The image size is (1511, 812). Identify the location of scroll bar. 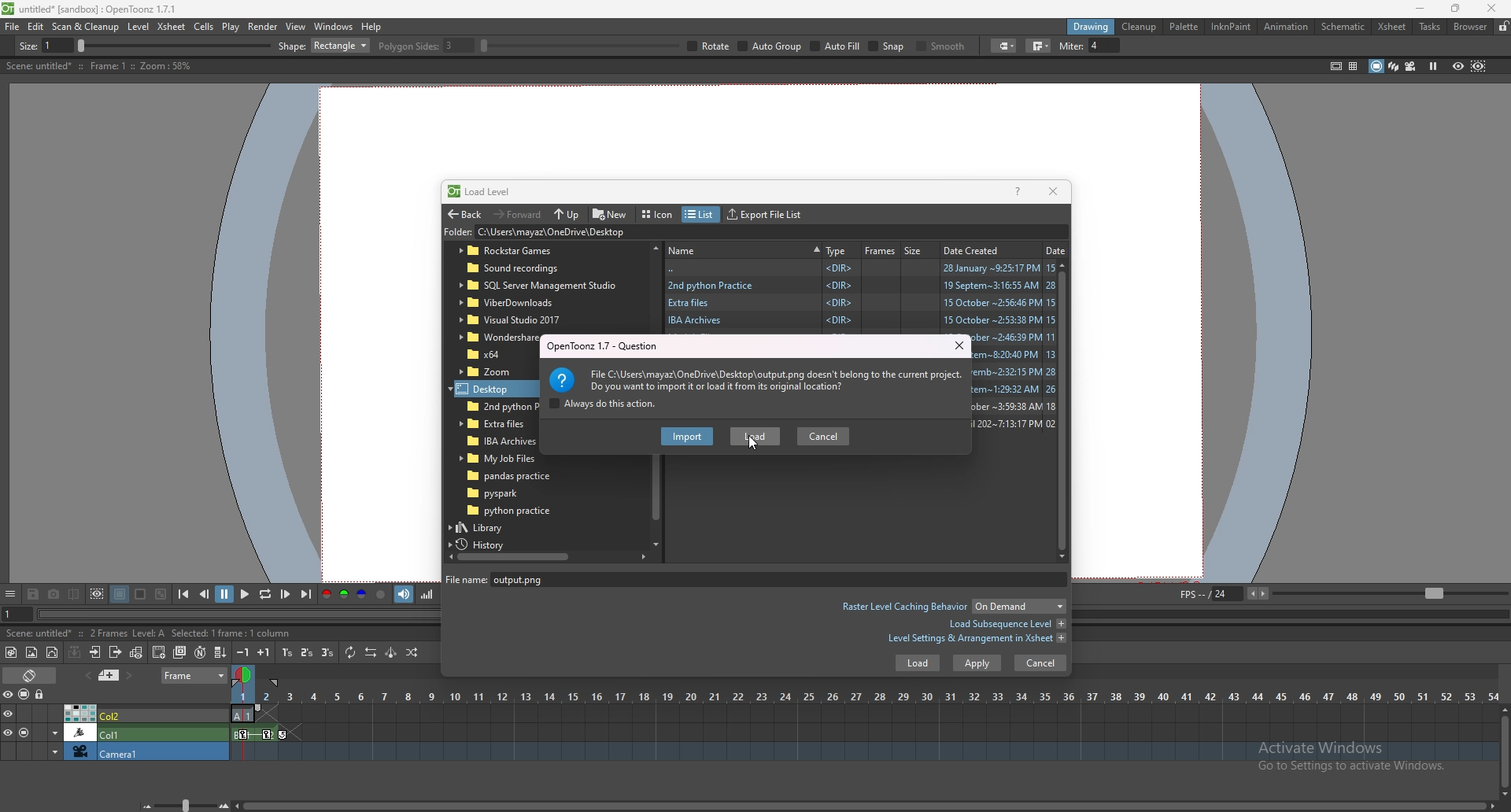
(1067, 410).